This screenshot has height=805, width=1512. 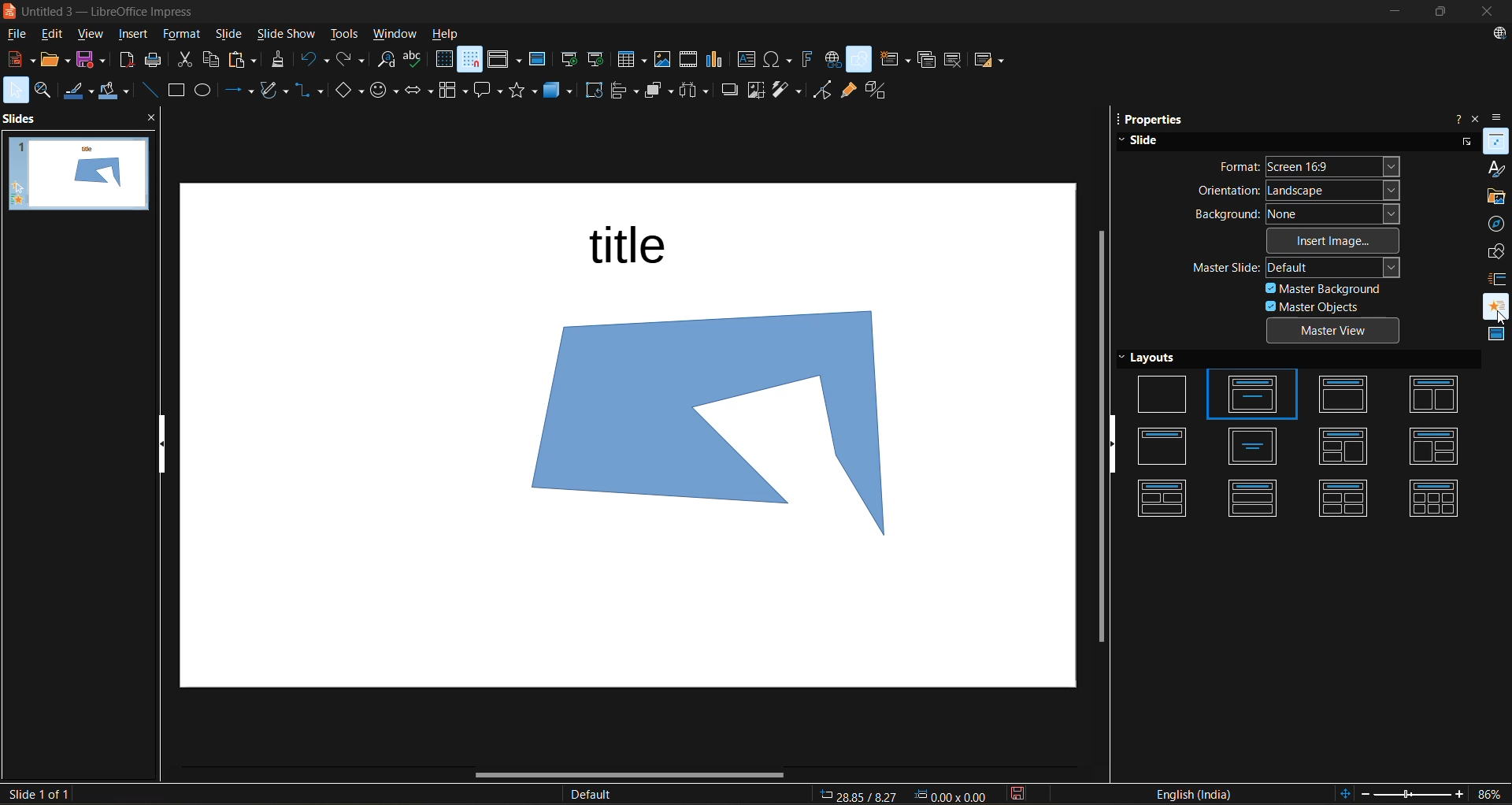 I want to click on insert textbox, so click(x=744, y=61).